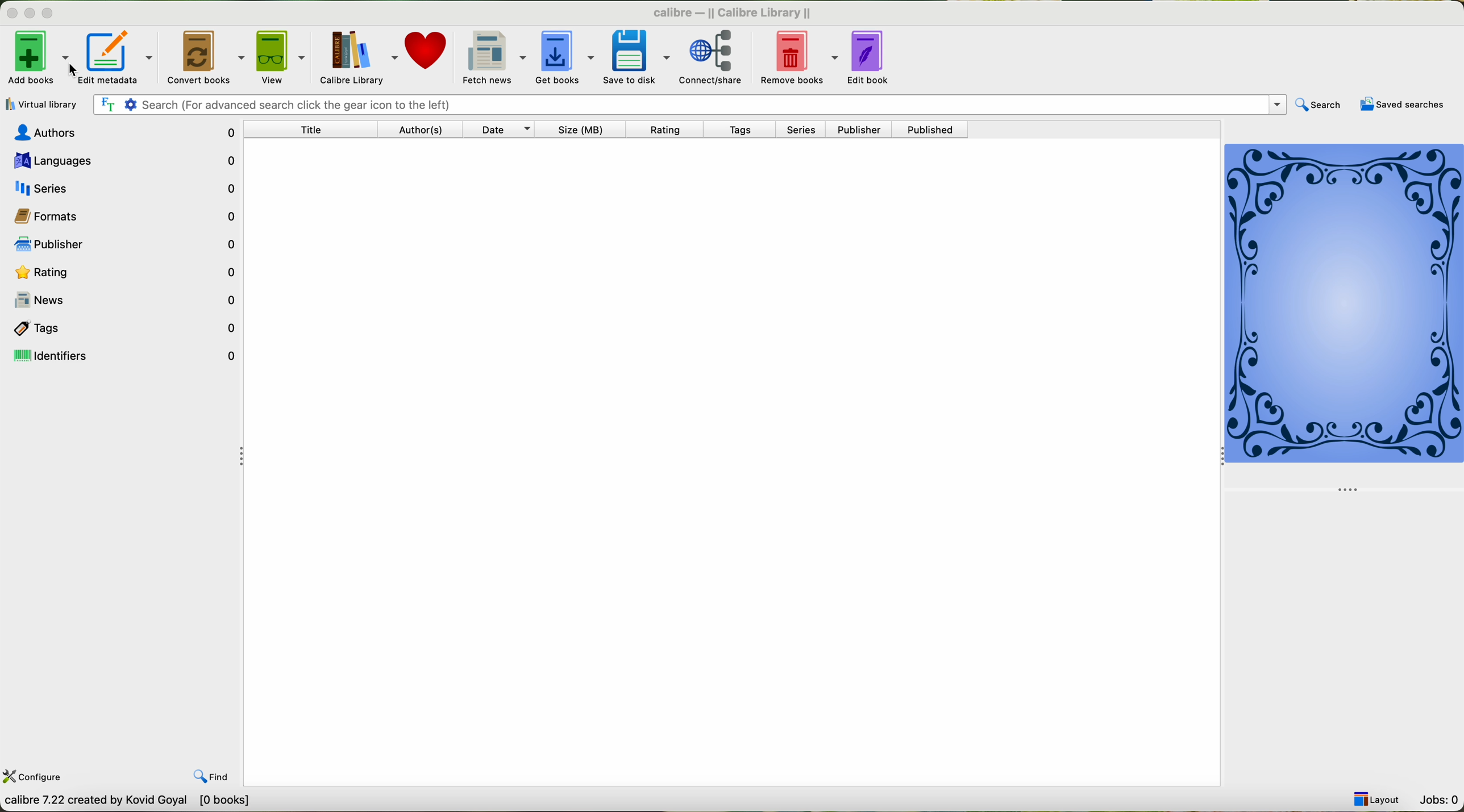  I want to click on calibre library, so click(359, 57).